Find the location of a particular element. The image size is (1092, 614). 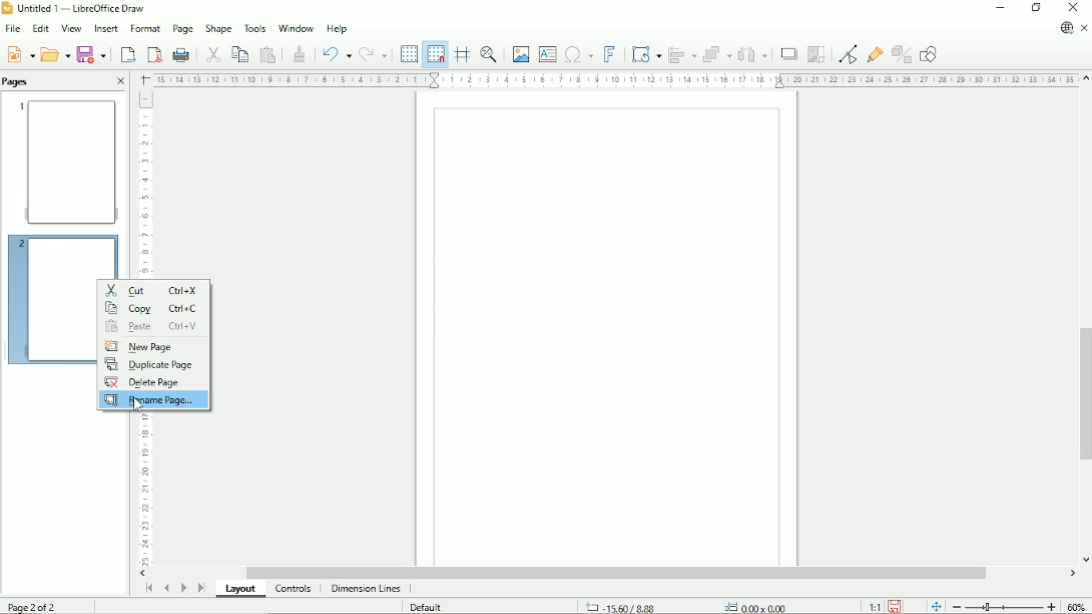

Scroll to previous page is located at coordinates (166, 588).